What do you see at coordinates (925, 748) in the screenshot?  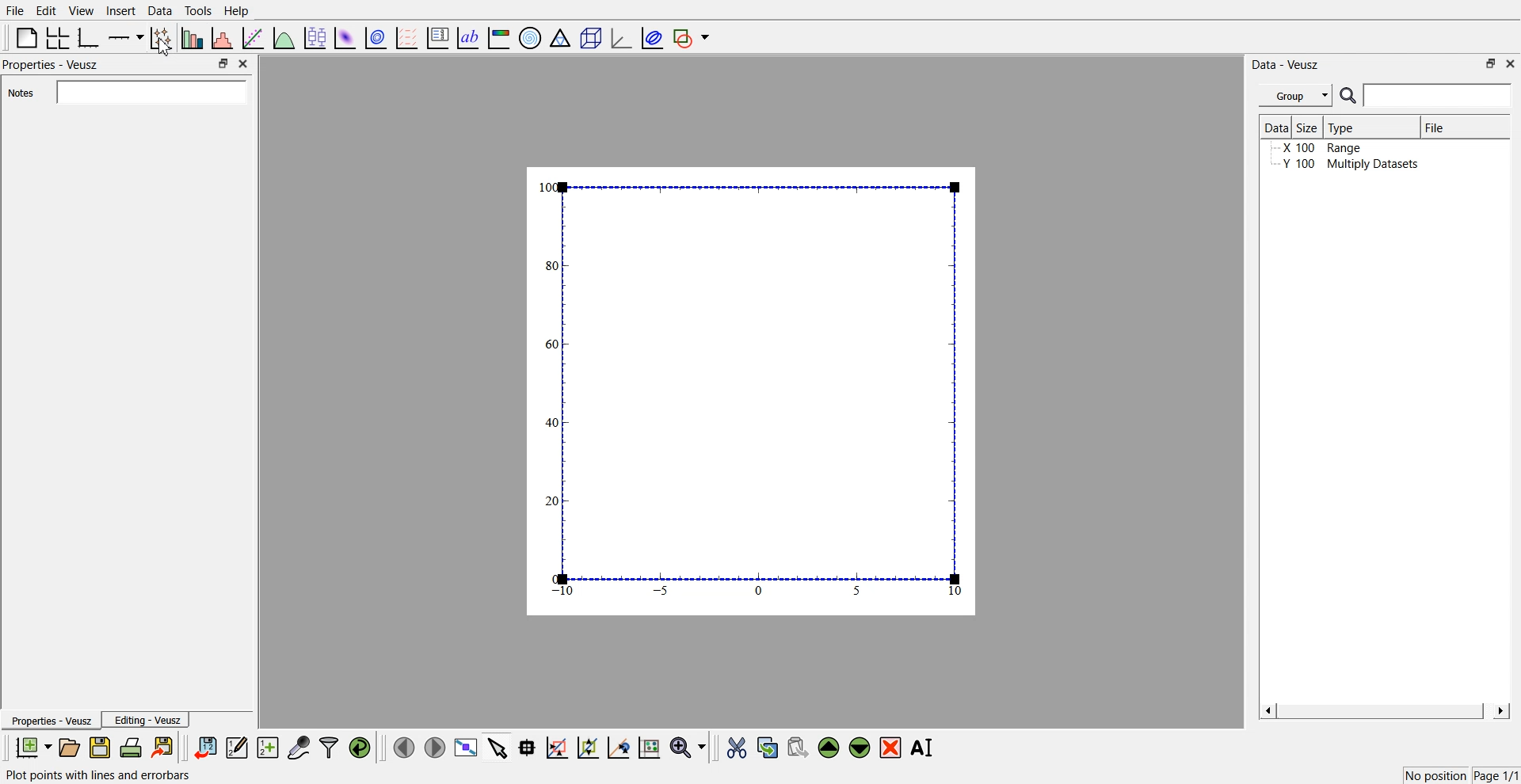 I see `Rename the selected widgets` at bounding box center [925, 748].